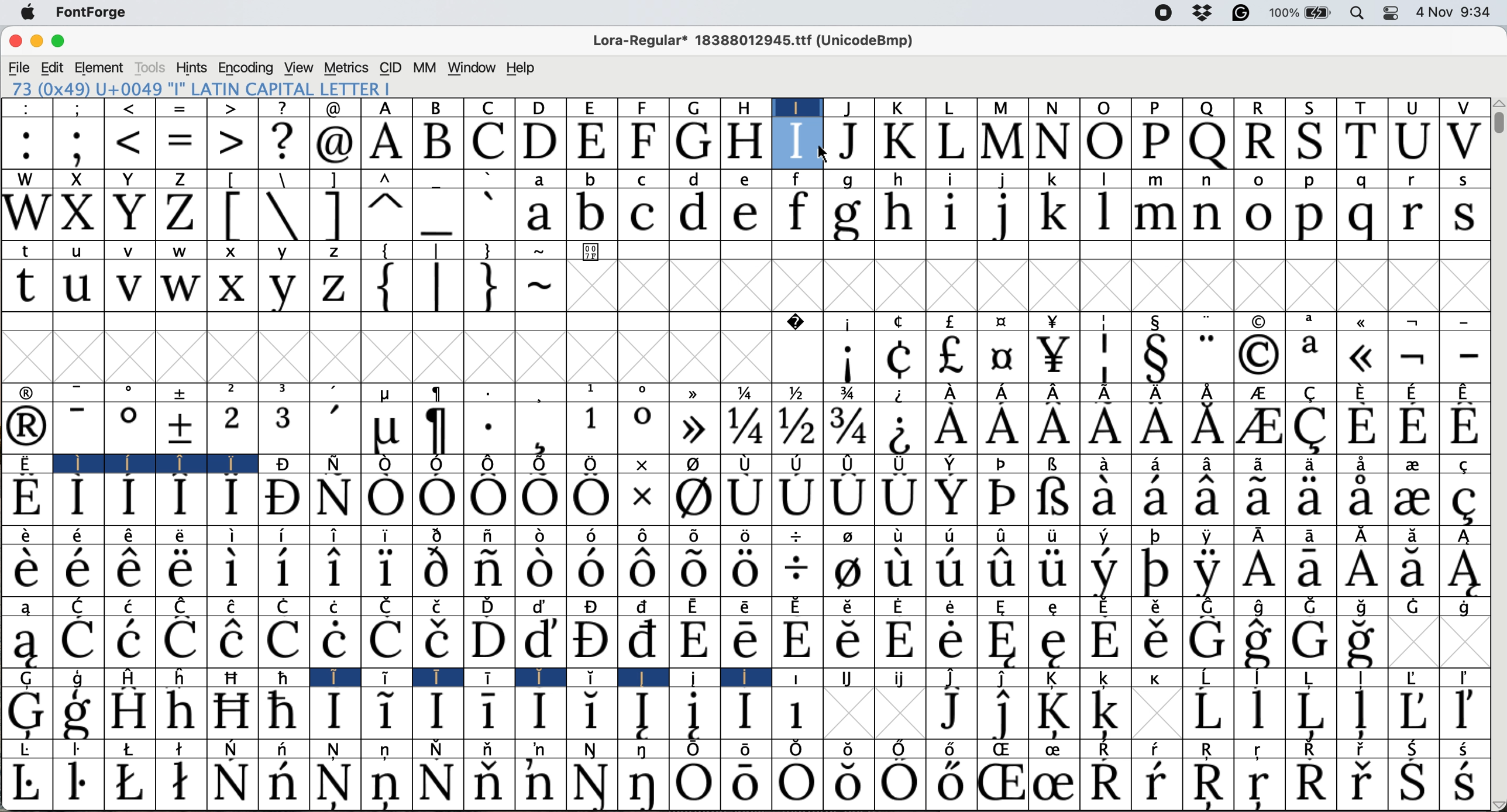 The height and width of the screenshot is (812, 1507). What do you see at coordinates (1358, 643) in the screenshot?
I see `Symbol` at bounding box center [1358, 643].